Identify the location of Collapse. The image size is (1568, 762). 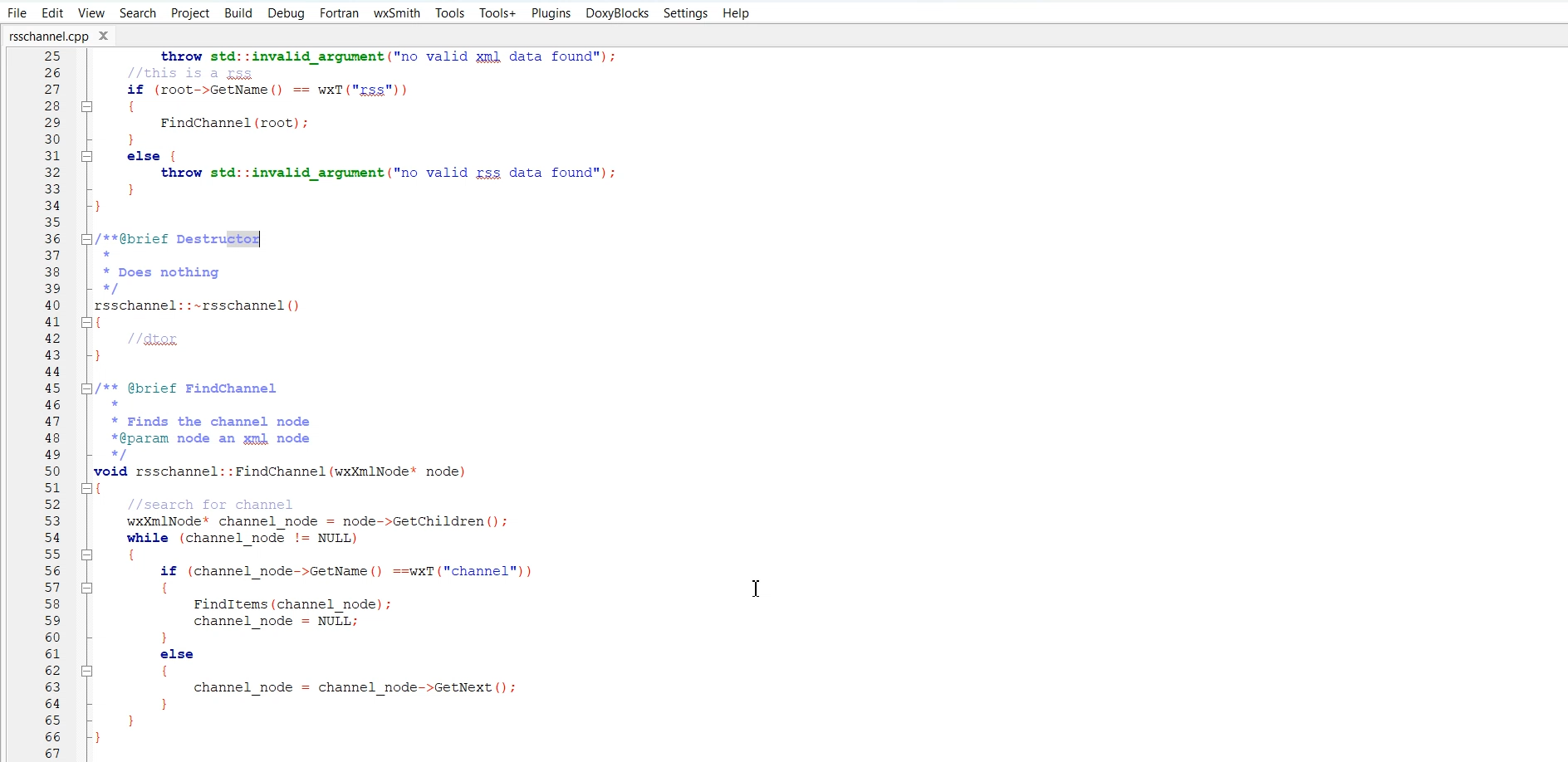
(86, 556).